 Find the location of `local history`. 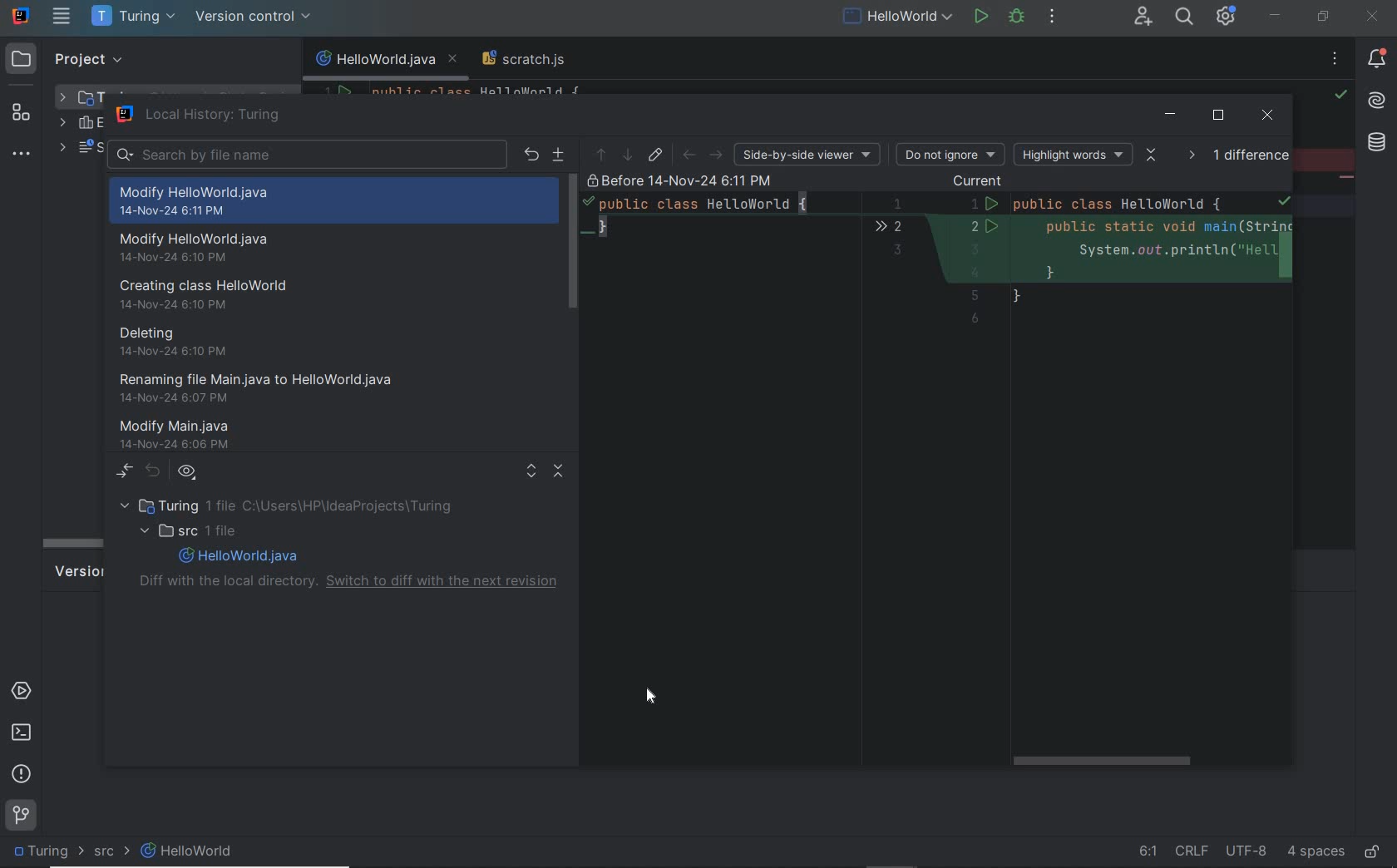

local history is located at coordinates (237, 115).